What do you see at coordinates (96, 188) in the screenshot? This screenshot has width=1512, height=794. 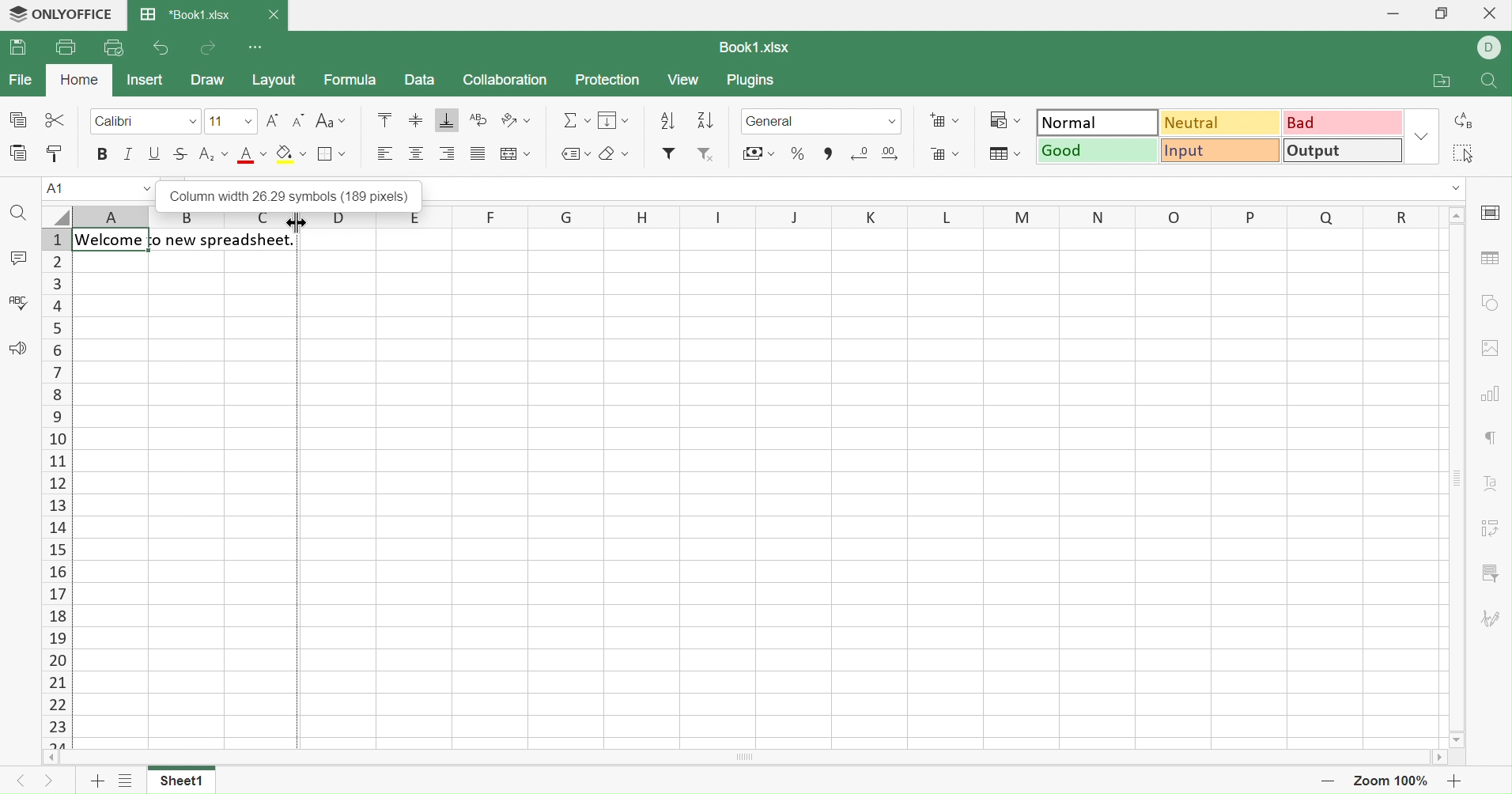 I see `A1` at bounding box center [96, 188].